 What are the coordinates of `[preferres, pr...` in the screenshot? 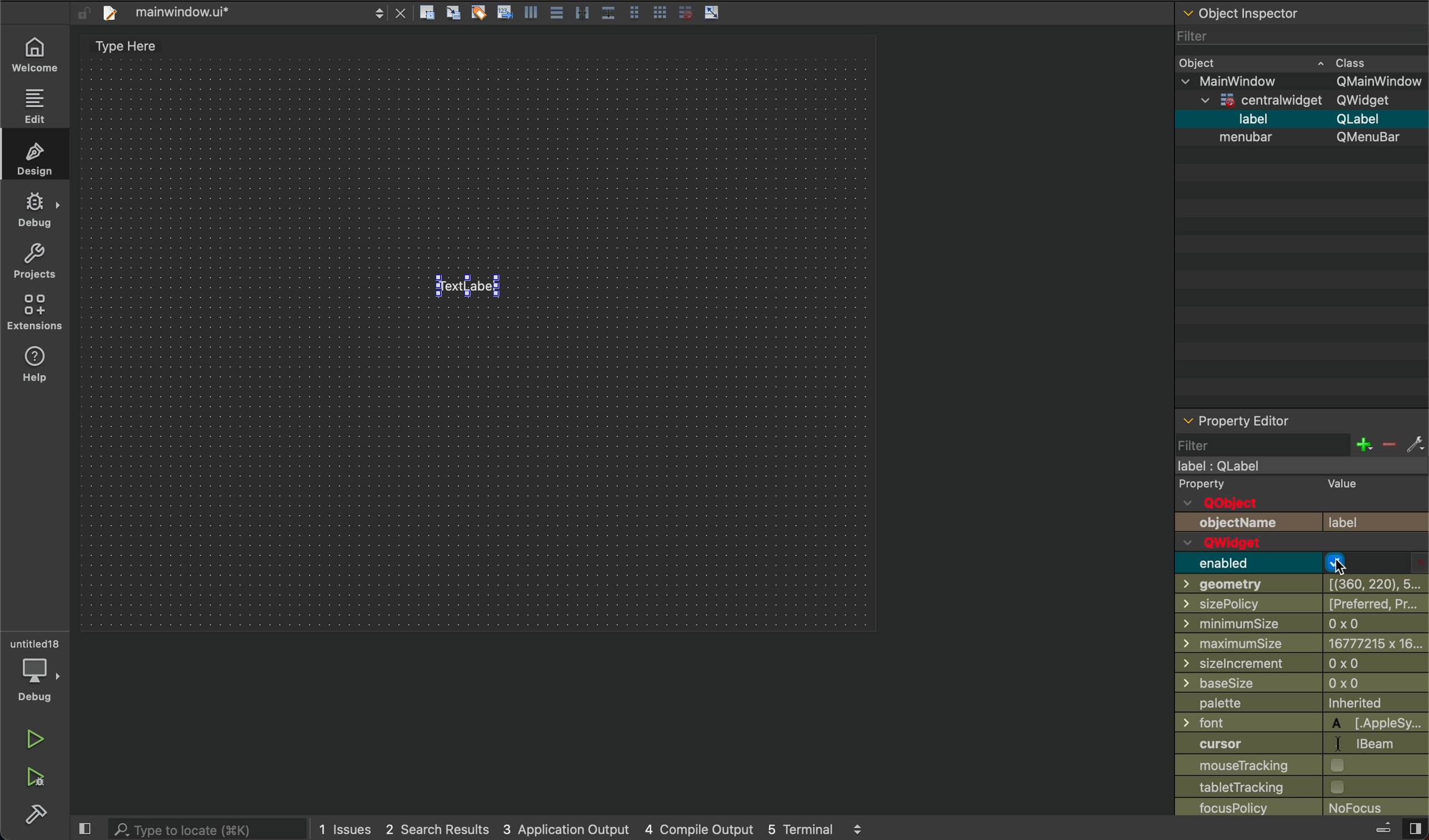 It's located at (1375, 605).